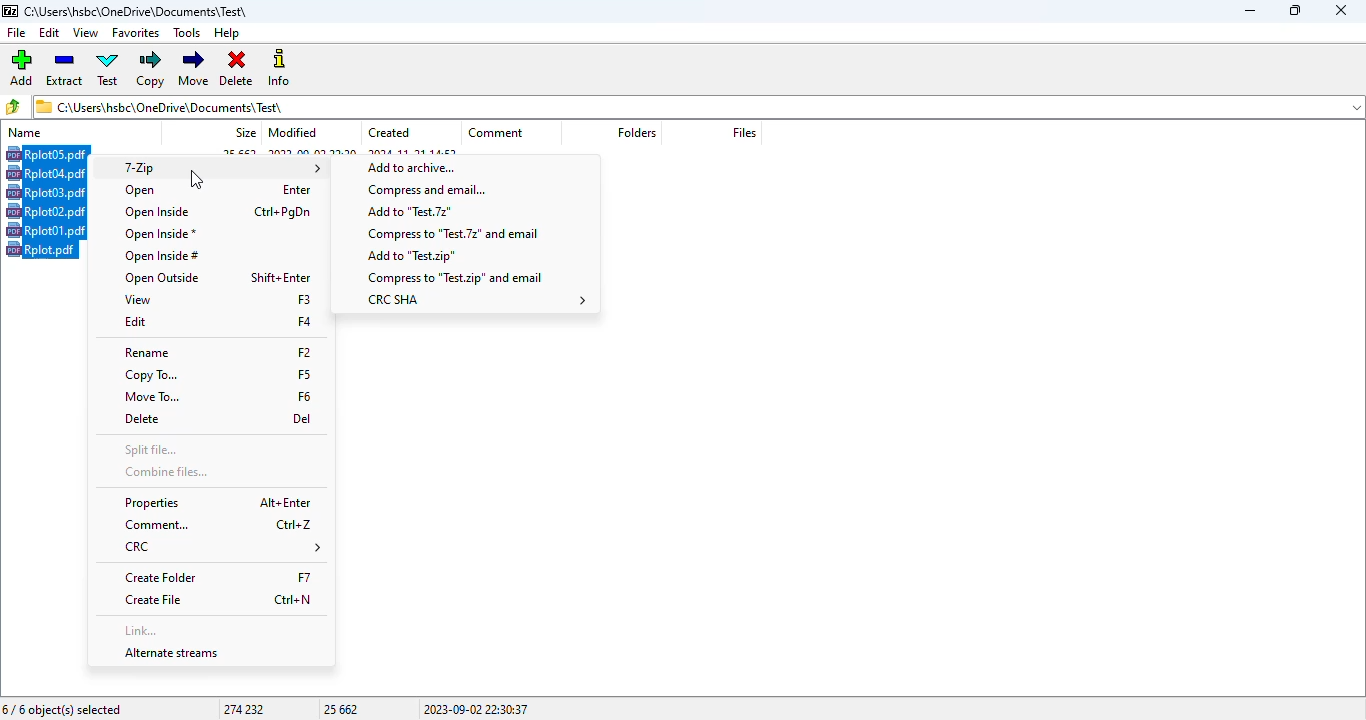 This screenshot has height=720, width=1366. What do you see at coordinates (41, 249) in the screenshot?
I see `rplot` at bounding box center [41, 249].